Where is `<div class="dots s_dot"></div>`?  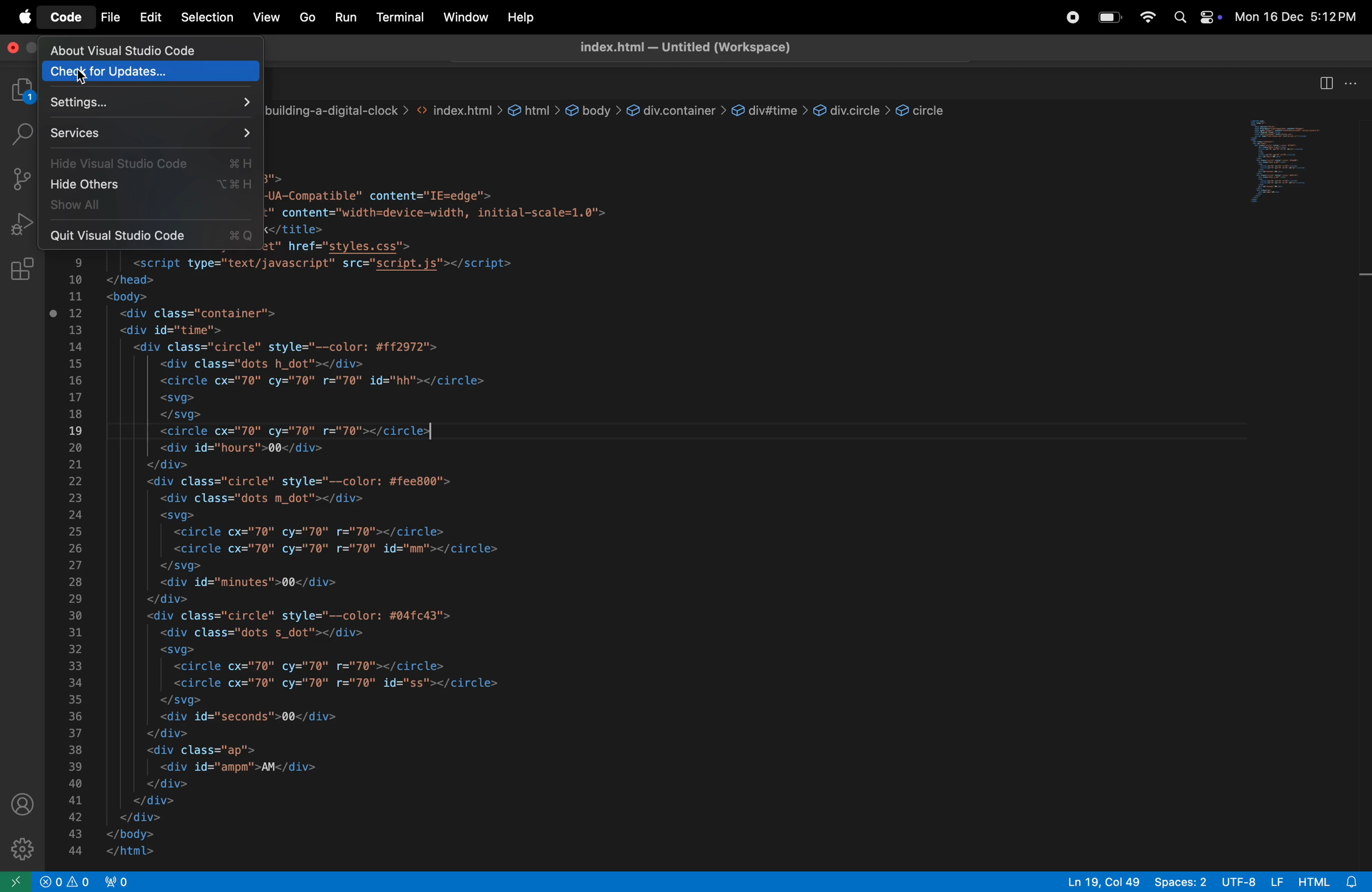 <div class="dots s_dot"></div> is located at coordinates (273, 633).